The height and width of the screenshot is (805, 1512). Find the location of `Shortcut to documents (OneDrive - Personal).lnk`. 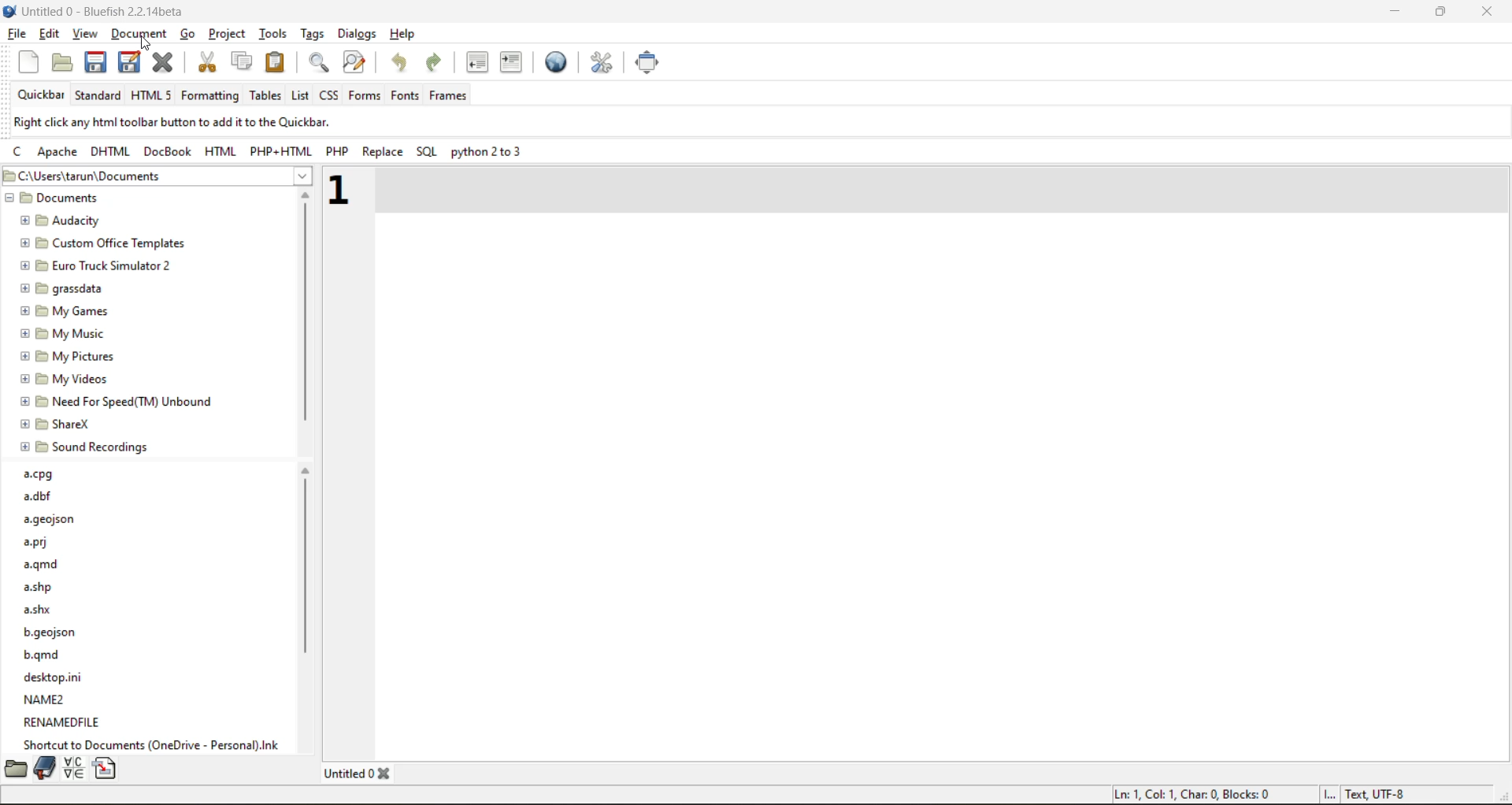

Shortcut to documents (OneDrive - Personal).lnk is located at coordinates (154, 744).